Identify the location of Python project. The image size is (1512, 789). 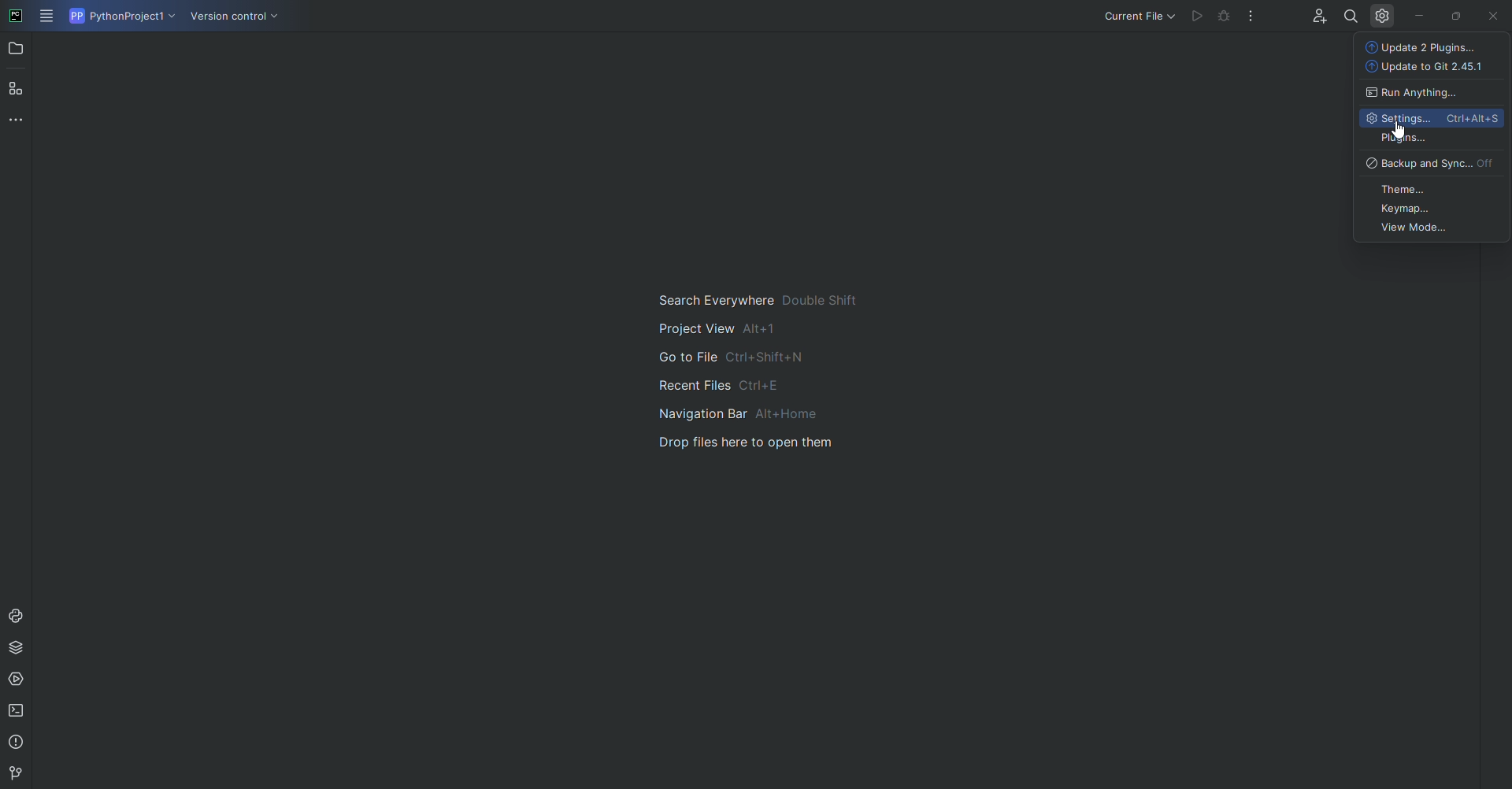
(120, 17).